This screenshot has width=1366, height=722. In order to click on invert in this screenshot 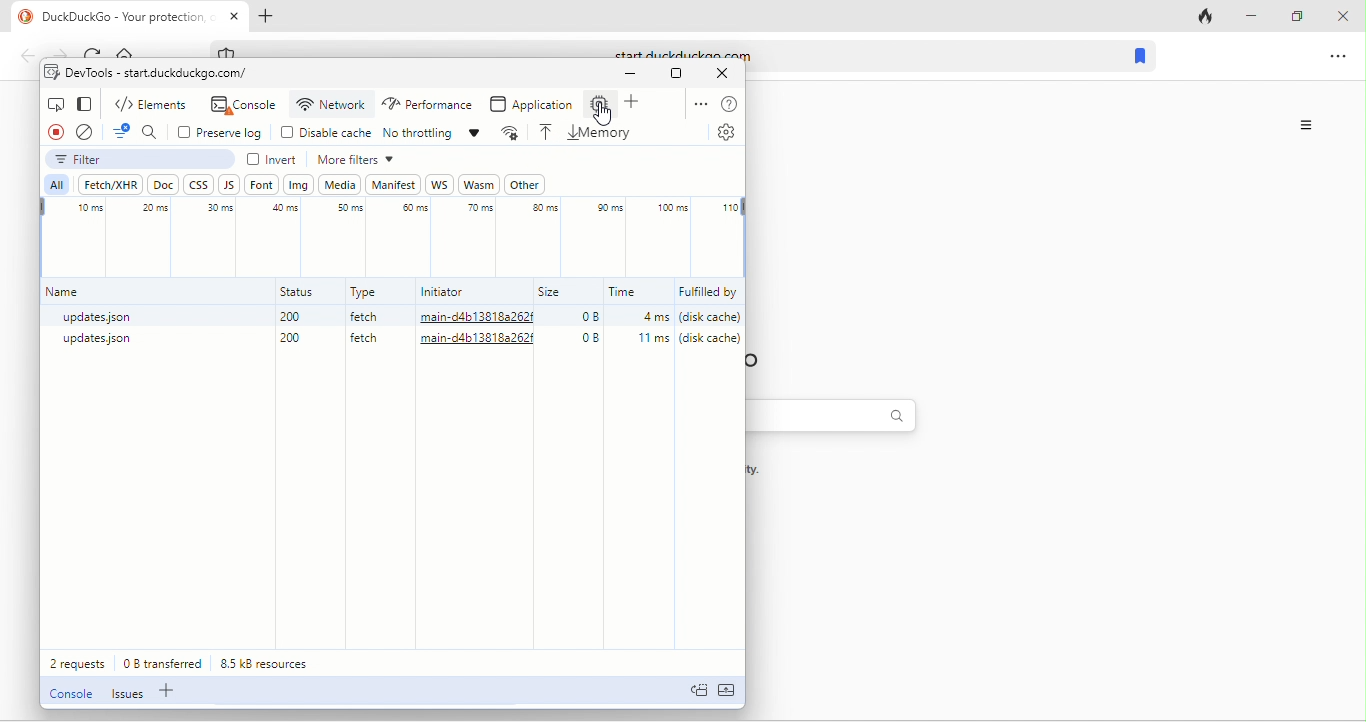, I will do `click(275, 159)`.